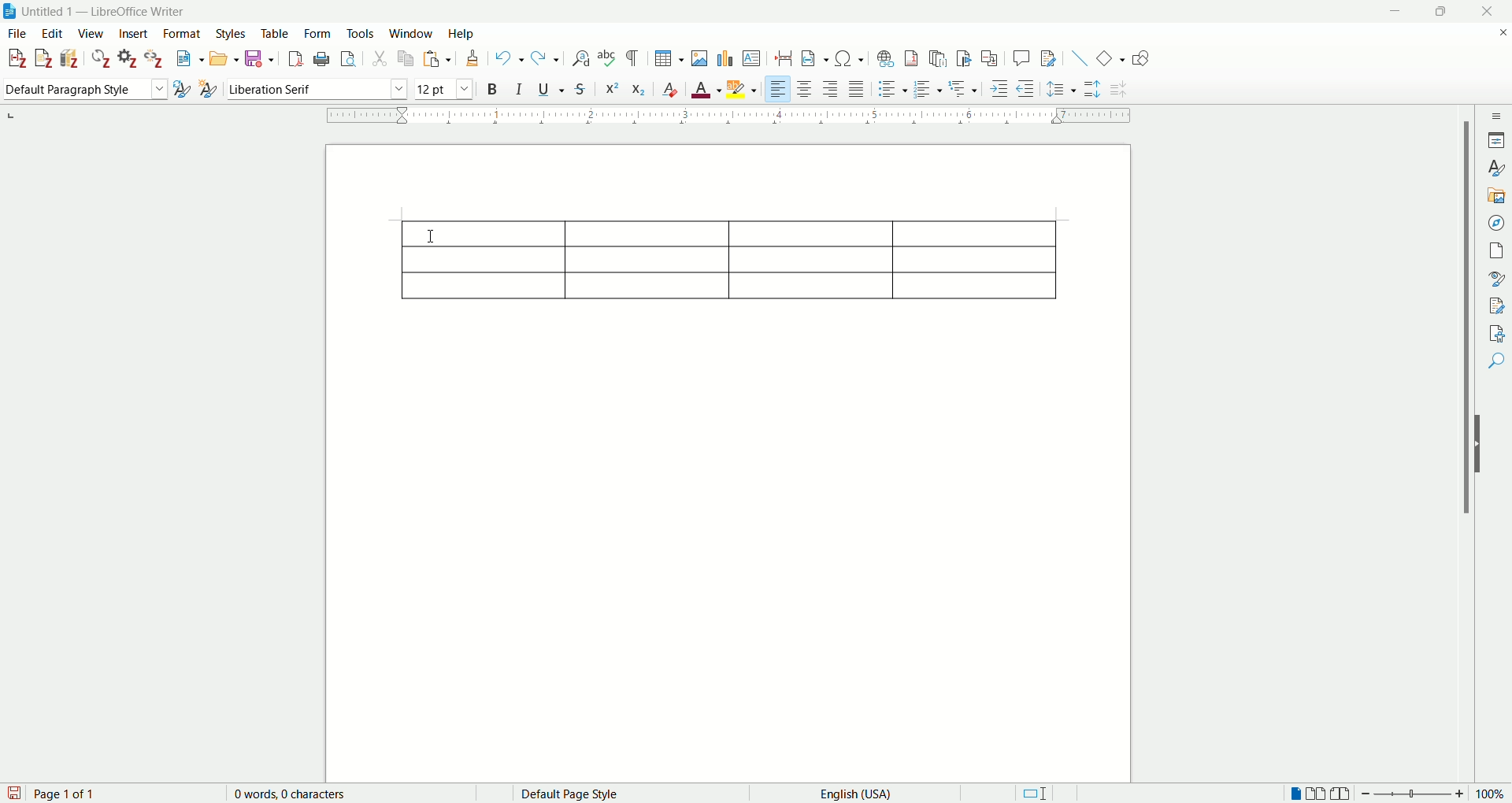 The image size is (1512, 803). I want to click on insert footnote, so click(913, 58).